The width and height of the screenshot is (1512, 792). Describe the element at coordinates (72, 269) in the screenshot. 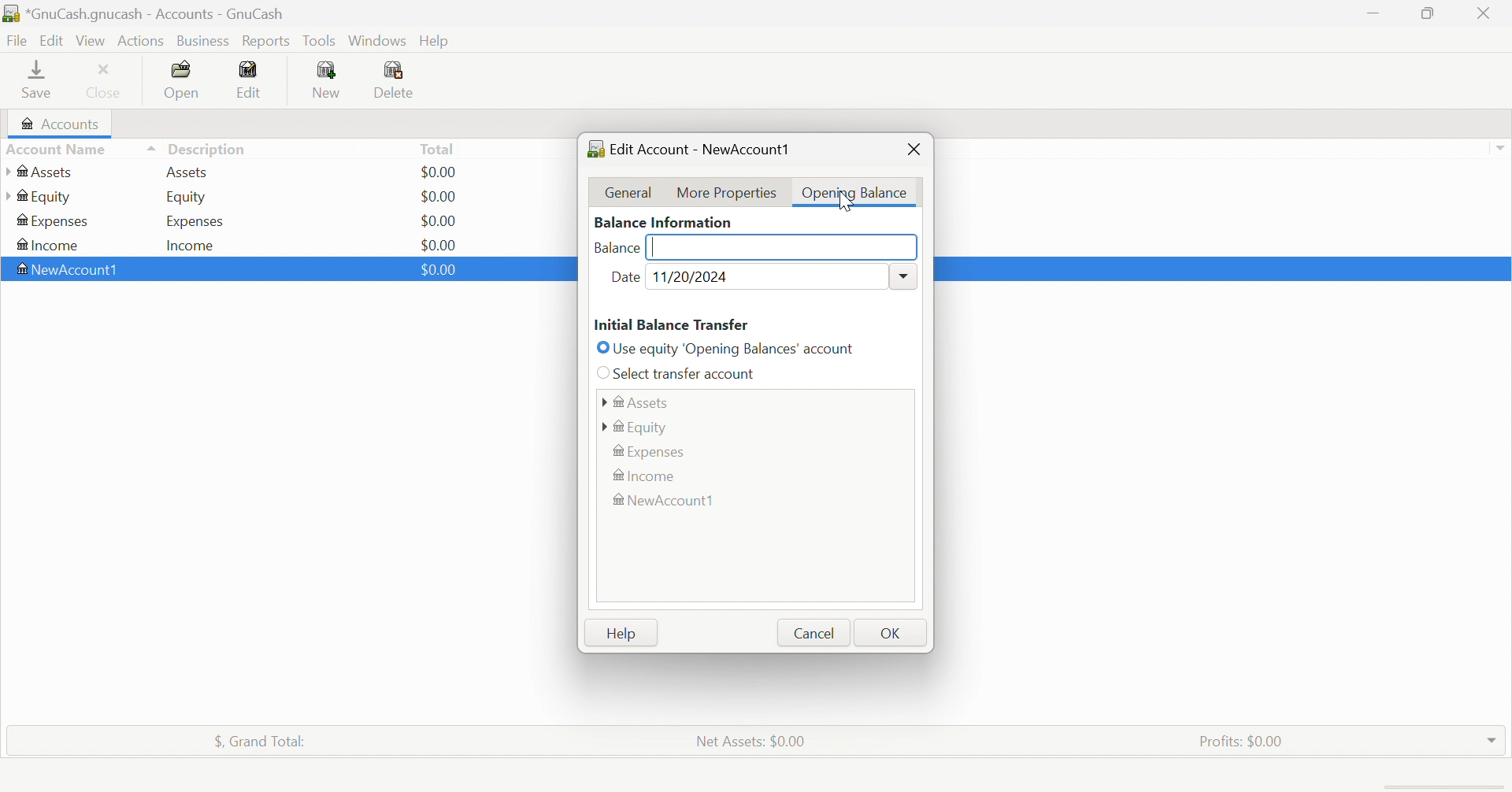

I see `NewAccount1` at that location.